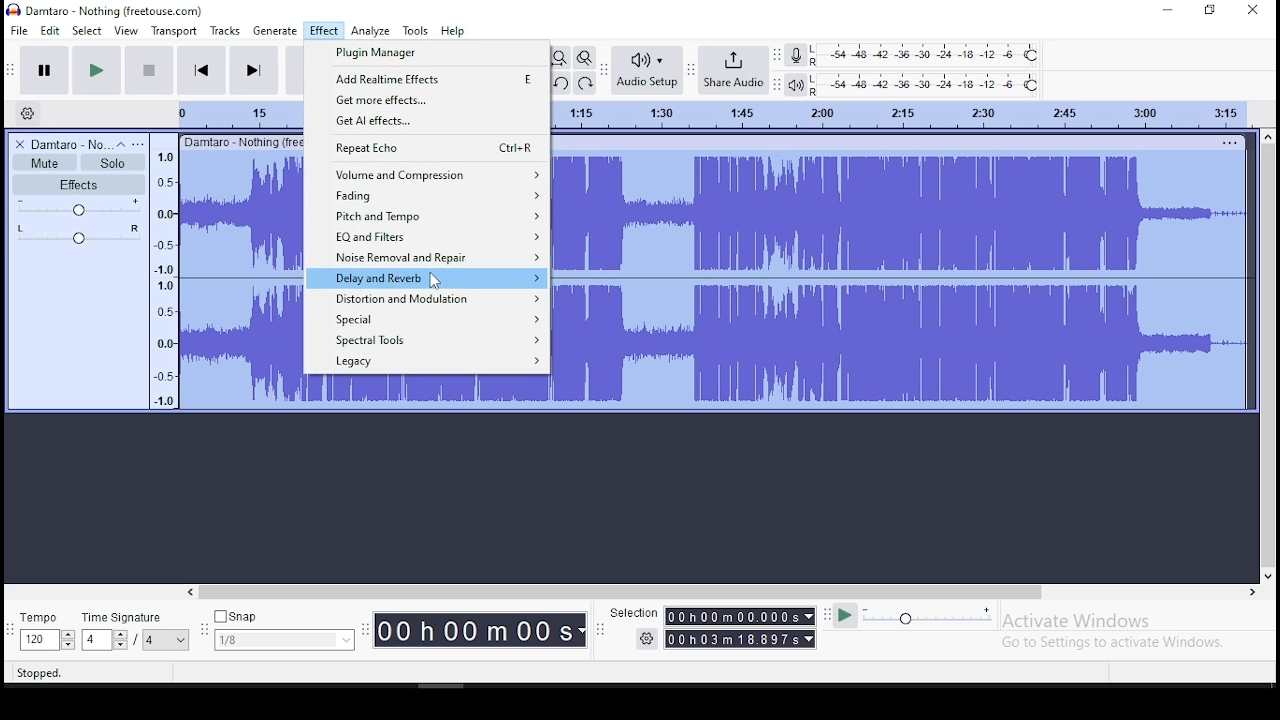  What do you see at coordinates (126, 30) in the screenshot?
I see `view` at bounding box center [126, 30].